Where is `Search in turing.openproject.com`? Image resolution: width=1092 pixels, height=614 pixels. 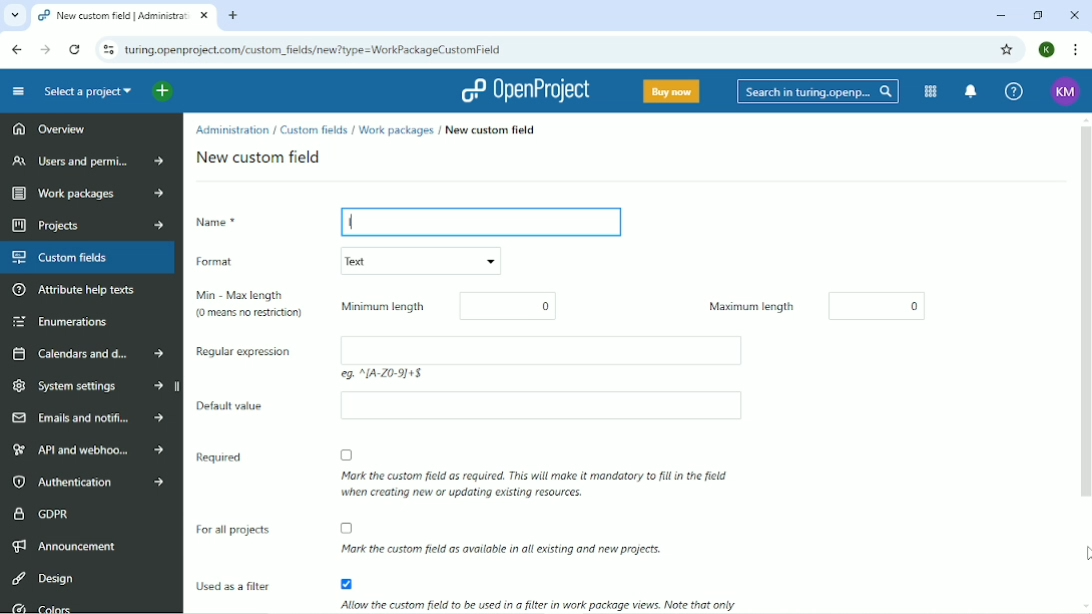
Search in turing.openproject.com is located at coordinates (816, 91).